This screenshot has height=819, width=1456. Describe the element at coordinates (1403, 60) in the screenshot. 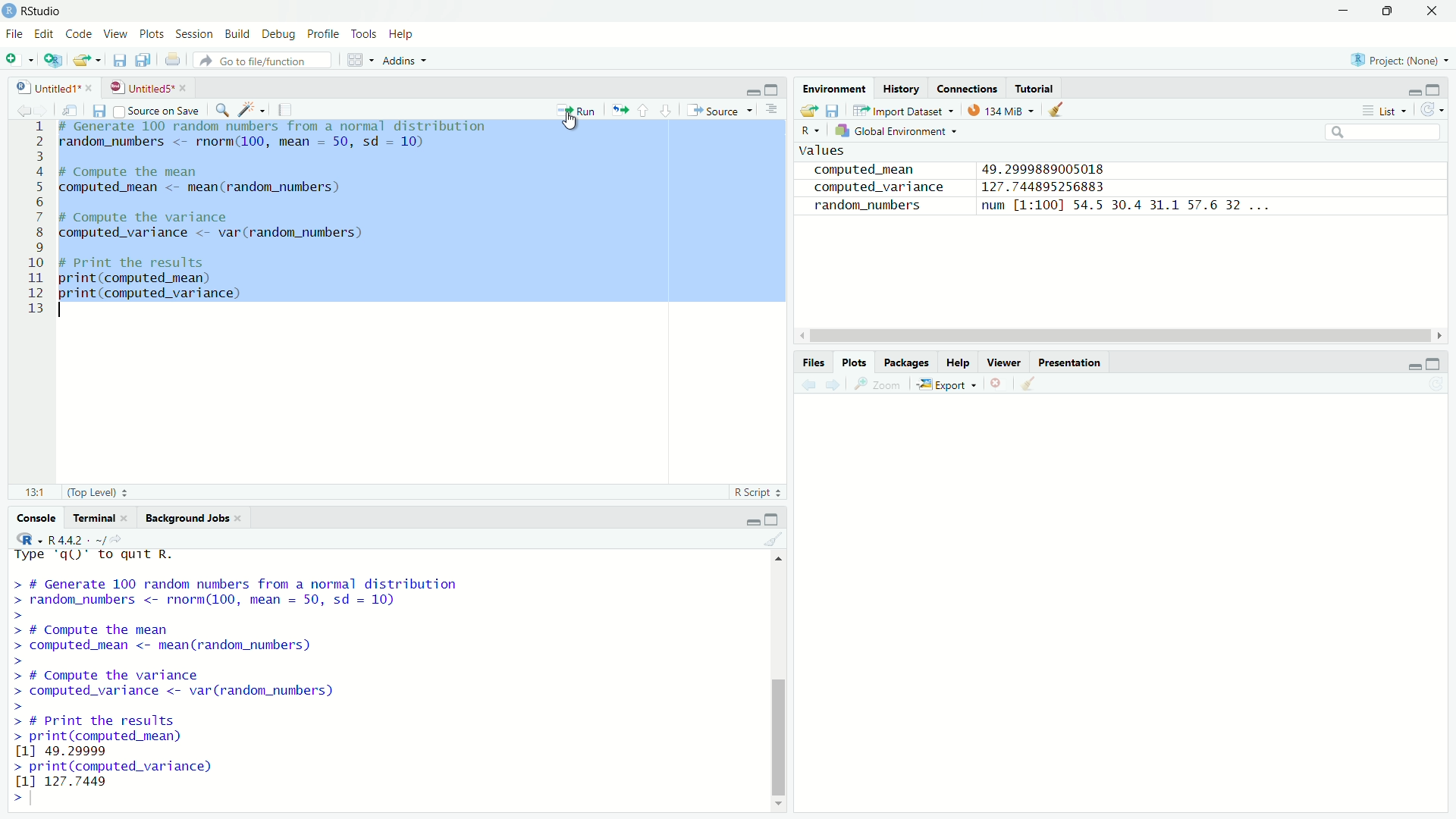

I see `project: (none)` at that location.